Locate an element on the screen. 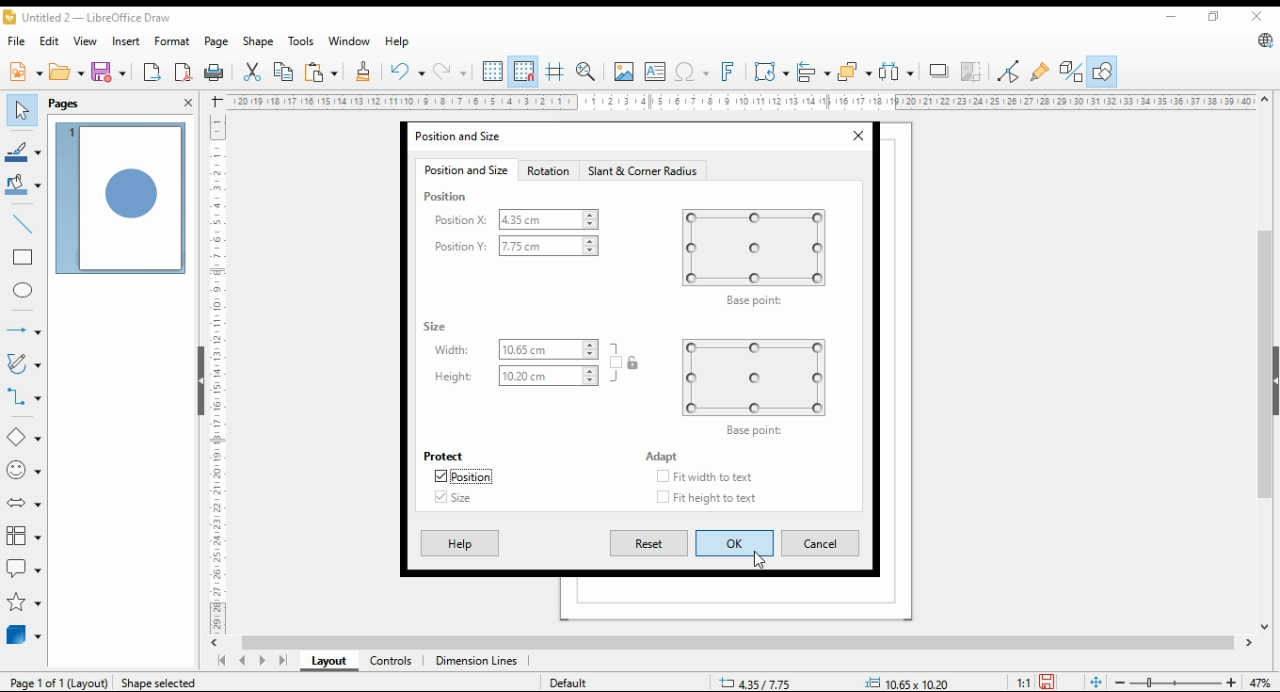 This screenshot has width=1280, height=692. insert fontwork text is located at coordinates (731, 72).